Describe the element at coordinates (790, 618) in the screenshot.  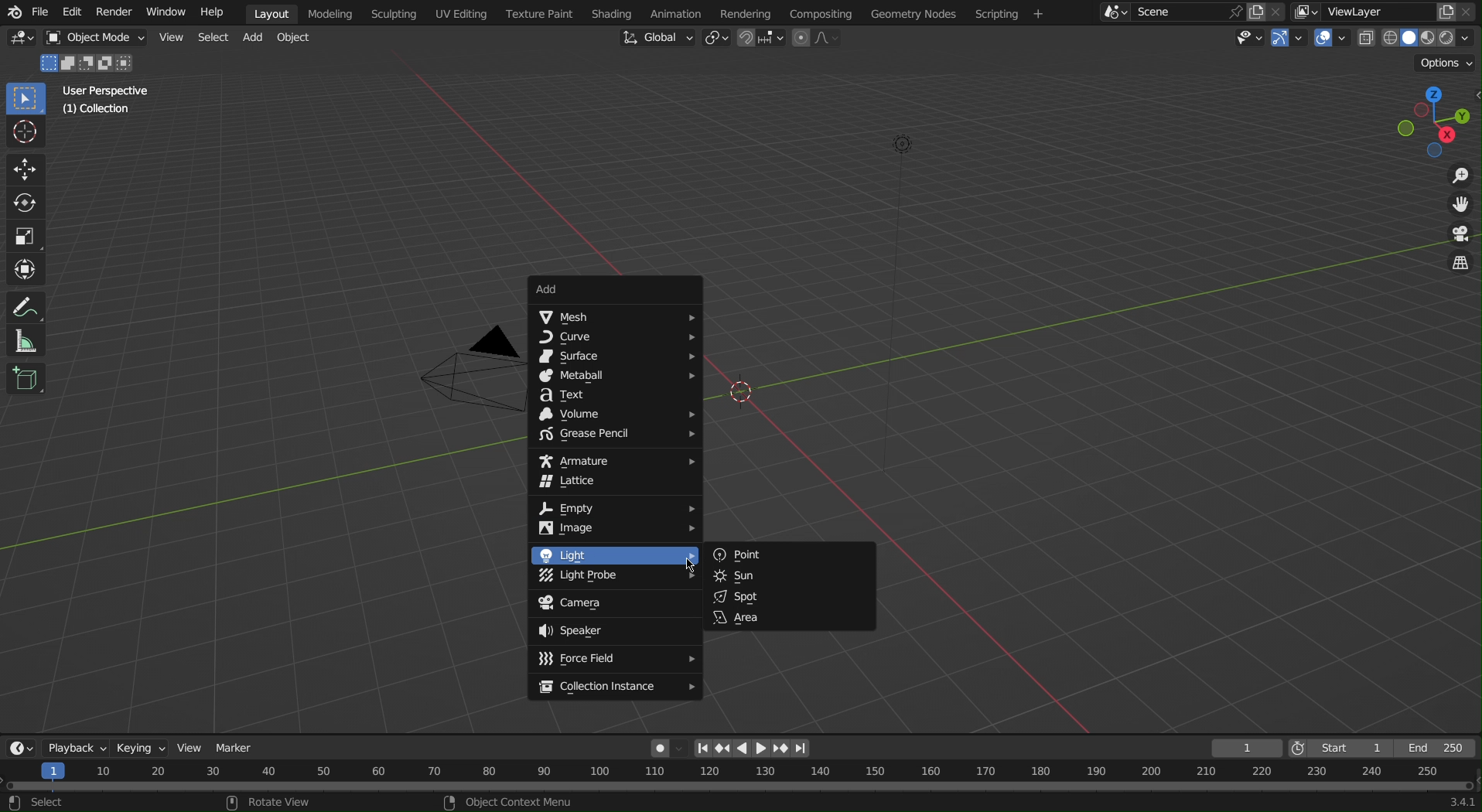
I see `Area` at that location.